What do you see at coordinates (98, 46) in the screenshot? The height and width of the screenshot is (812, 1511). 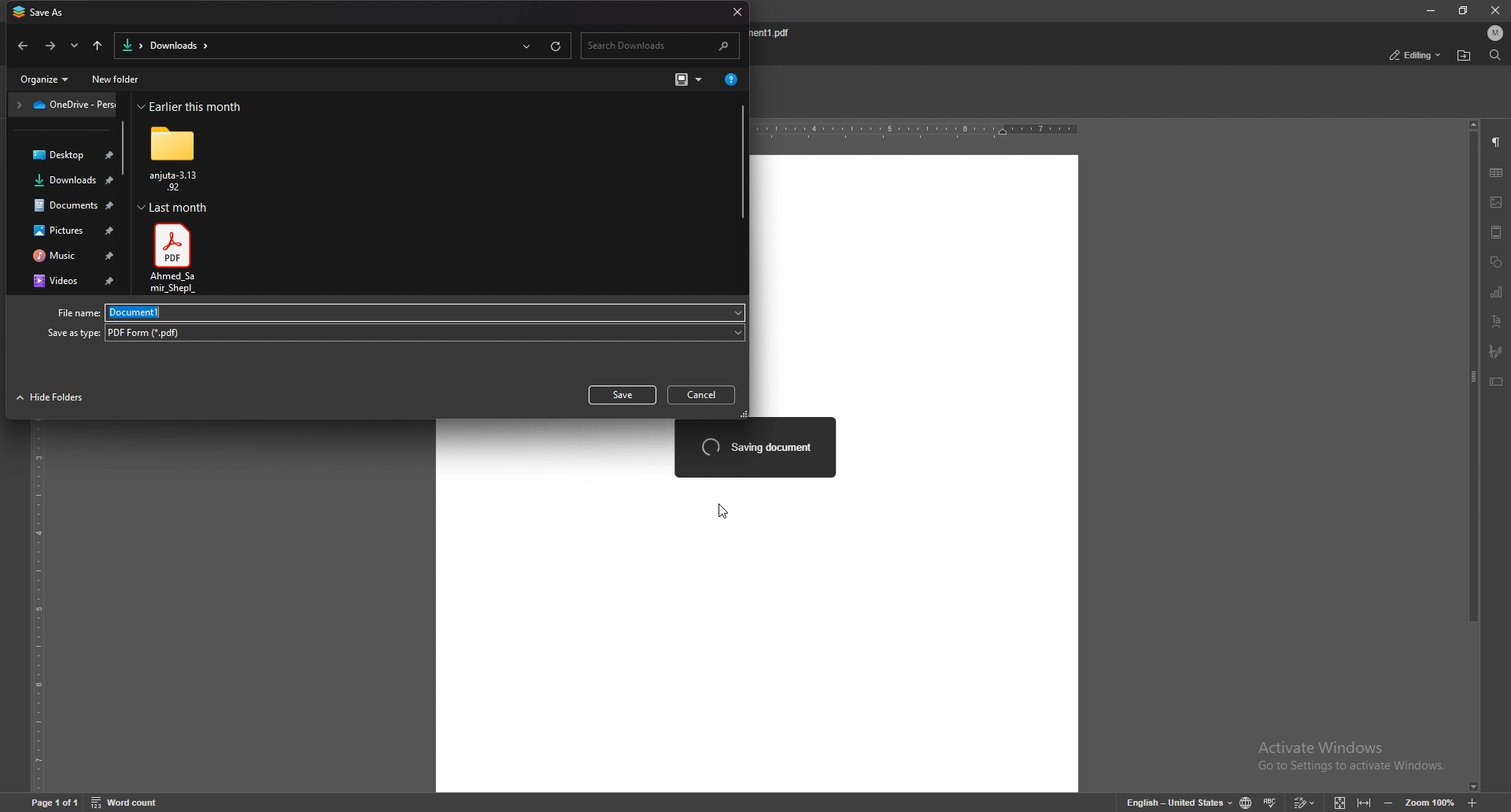 I see `upto desktop` at bounding box center [98, 46].